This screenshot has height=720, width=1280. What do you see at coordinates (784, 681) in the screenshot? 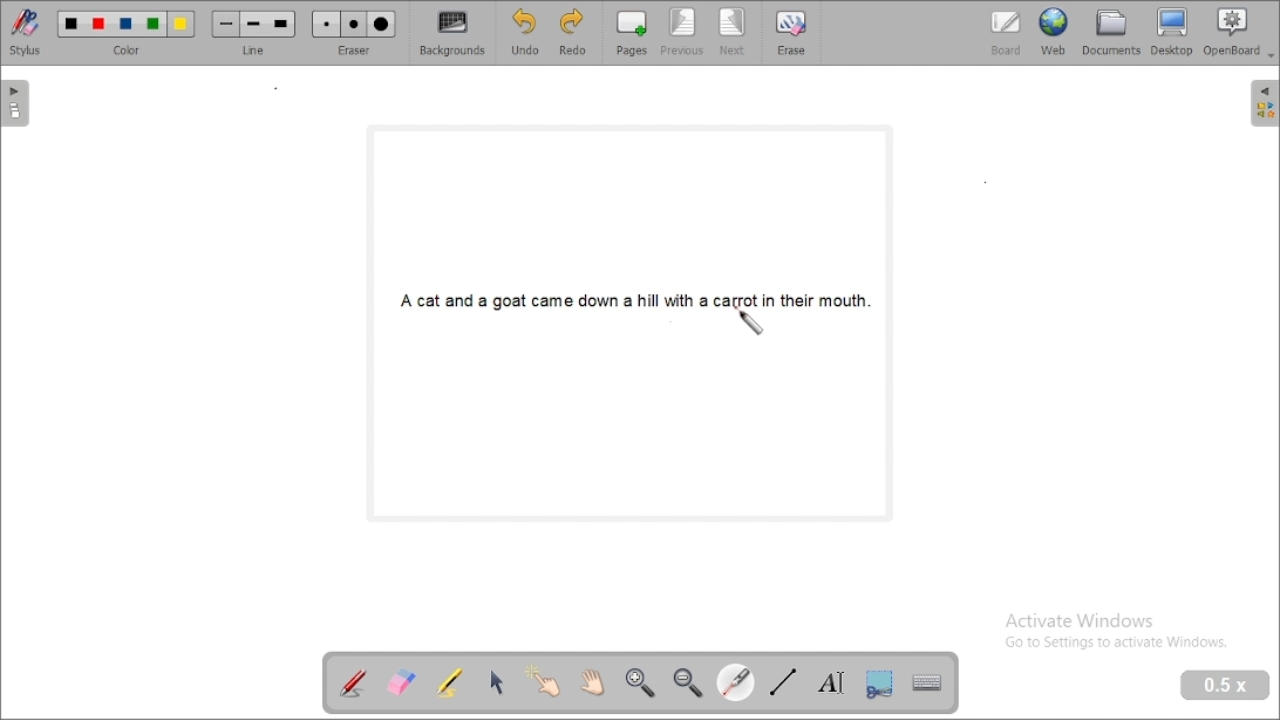
I see `draw lines` at bounding box center [784, 681].